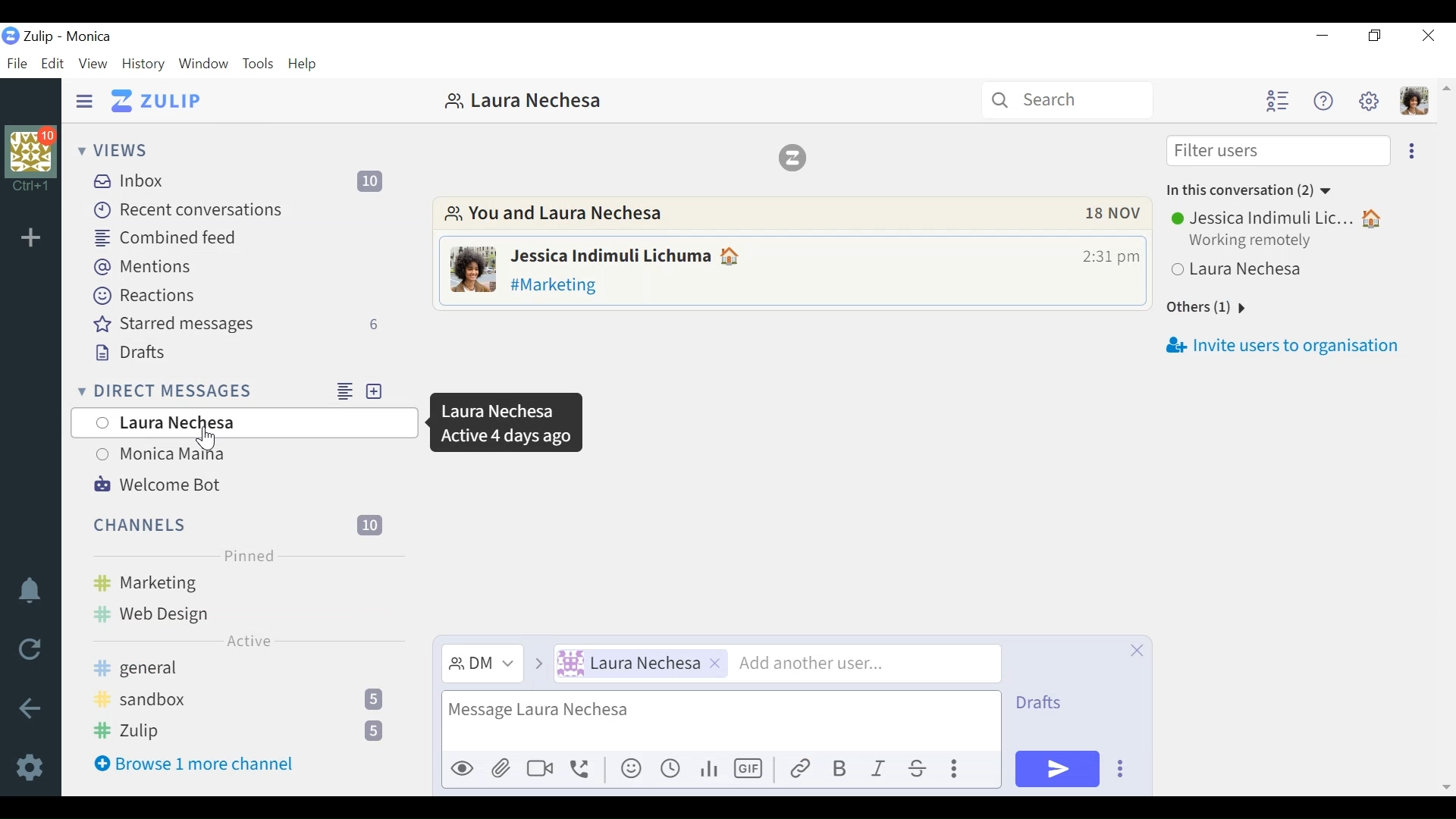 Image resolution: width=1456 pixels, height=819 pixels. I want to click on Add video call, so click(538, 770).